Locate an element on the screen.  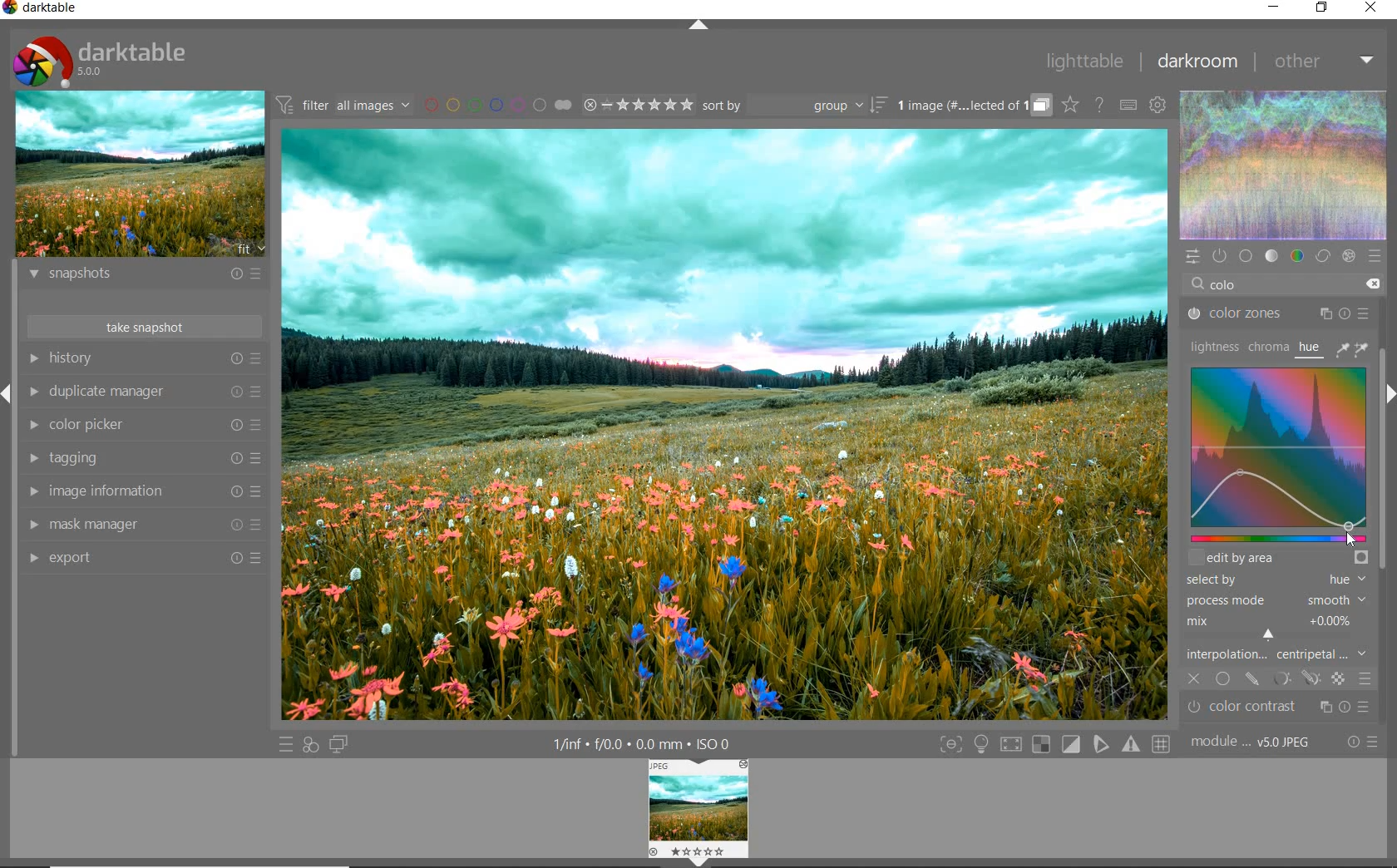
set keyboard shortcuts is located at coordinates (1127, 106).